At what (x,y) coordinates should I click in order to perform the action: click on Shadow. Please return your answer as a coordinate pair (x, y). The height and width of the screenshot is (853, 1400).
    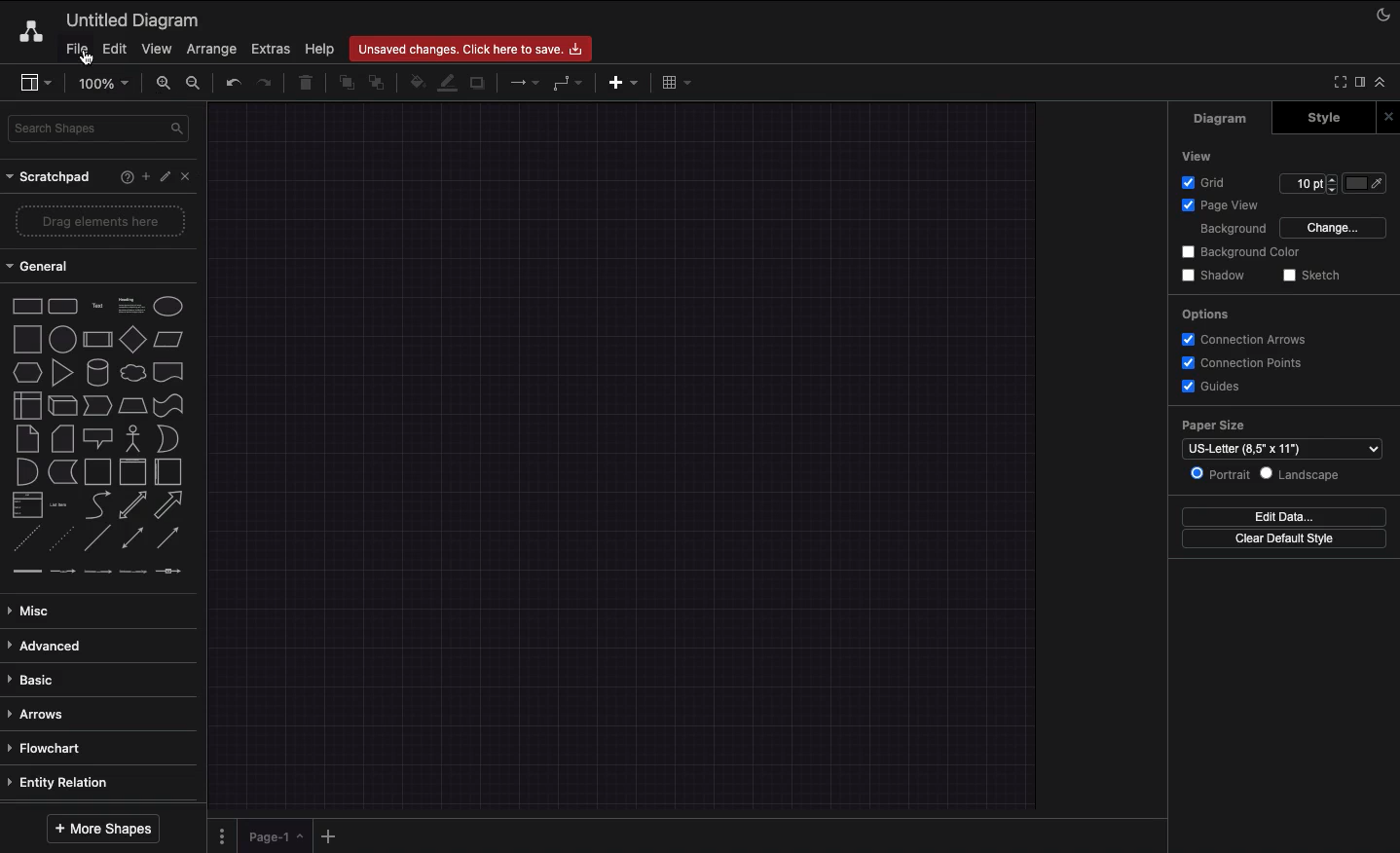
    Looking at the image, I should click on (479, 82).